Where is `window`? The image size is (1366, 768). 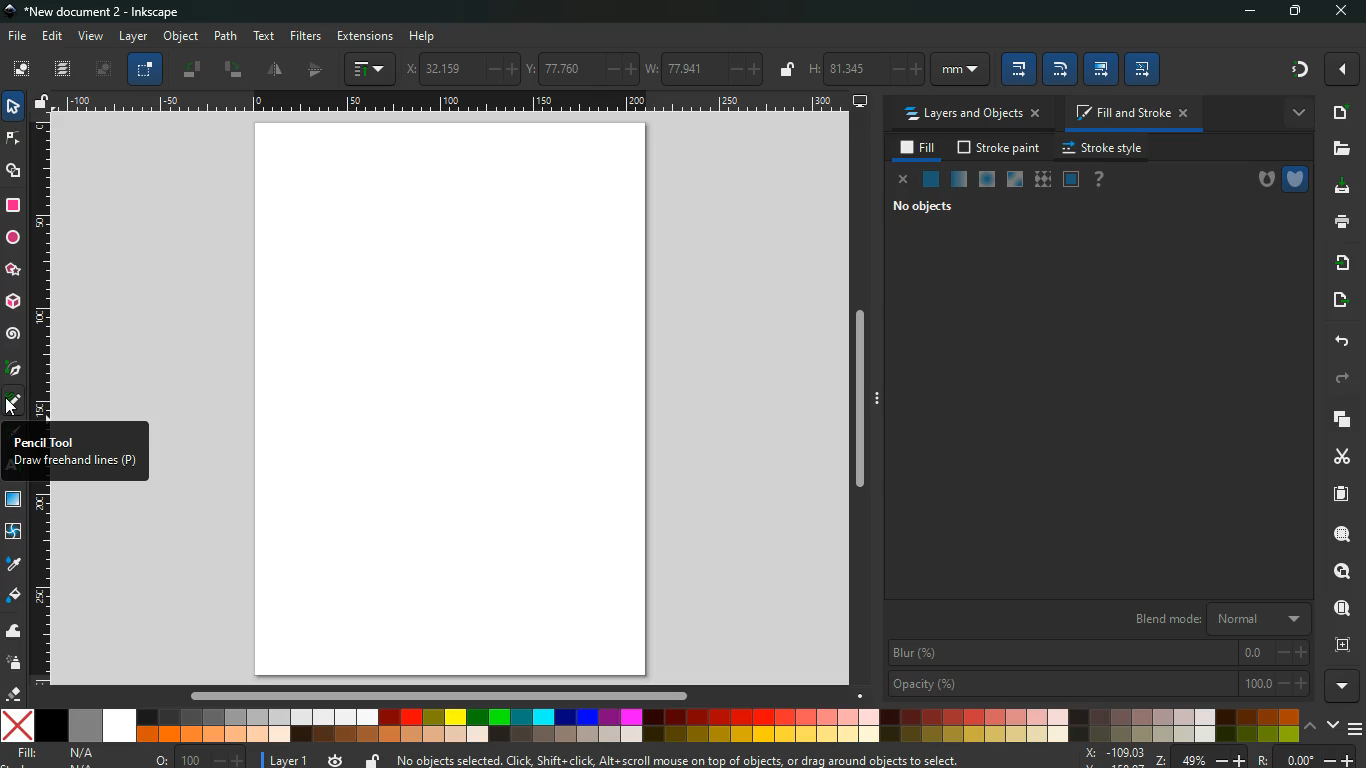 window is located at coordinates (1014, 180).